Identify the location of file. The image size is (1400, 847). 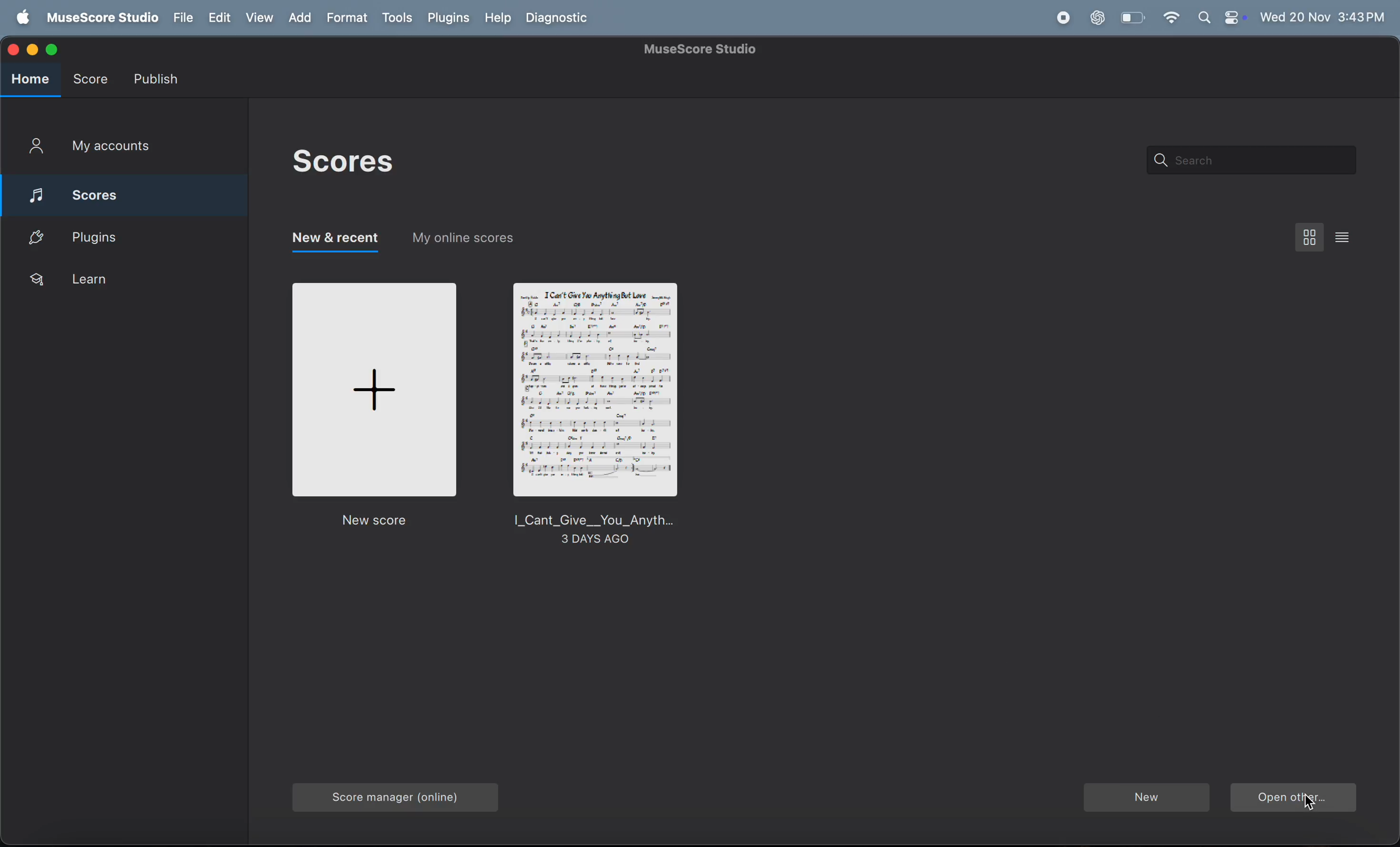
(182, 16).